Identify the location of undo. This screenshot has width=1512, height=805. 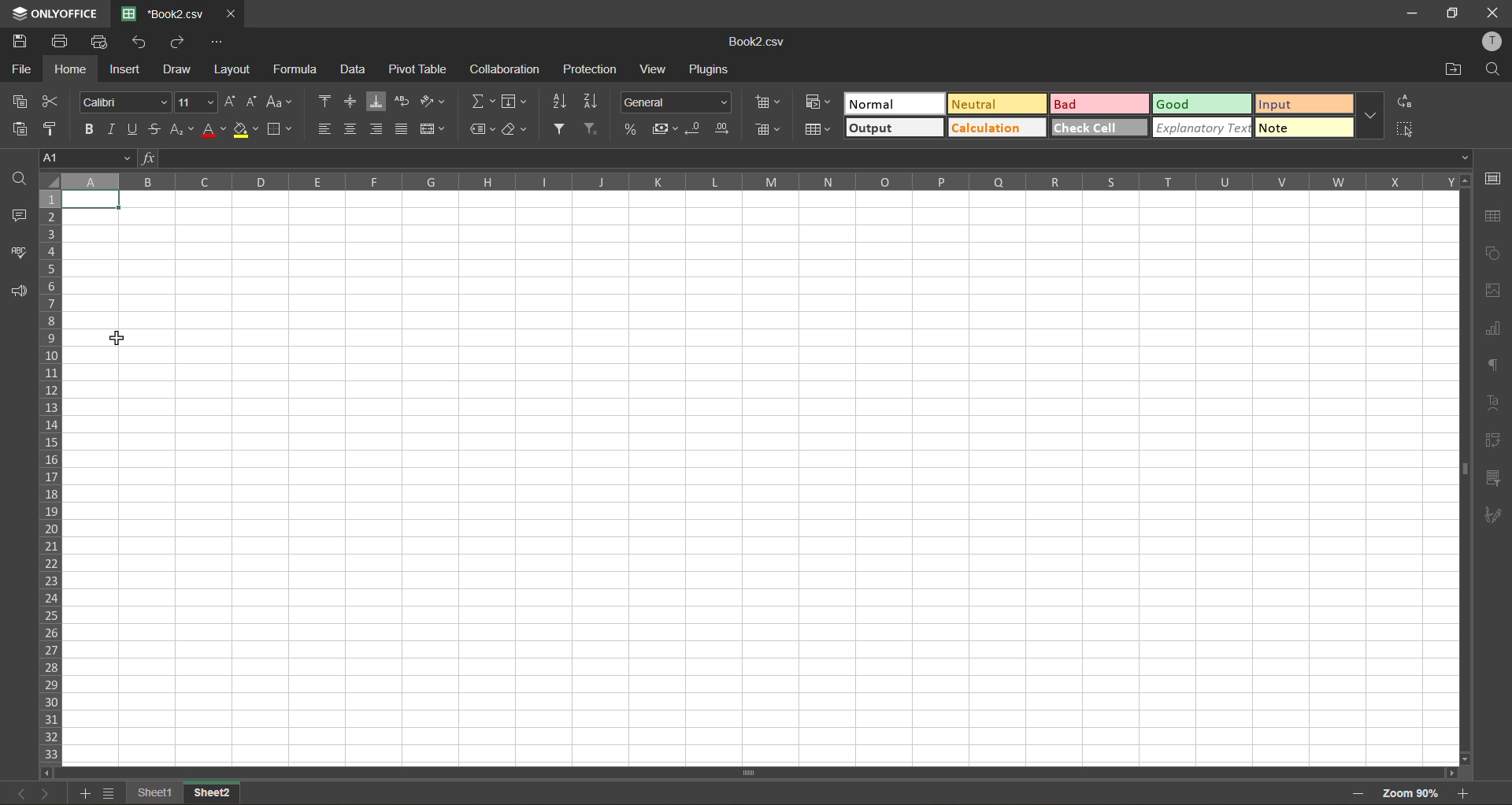
(139, 42).